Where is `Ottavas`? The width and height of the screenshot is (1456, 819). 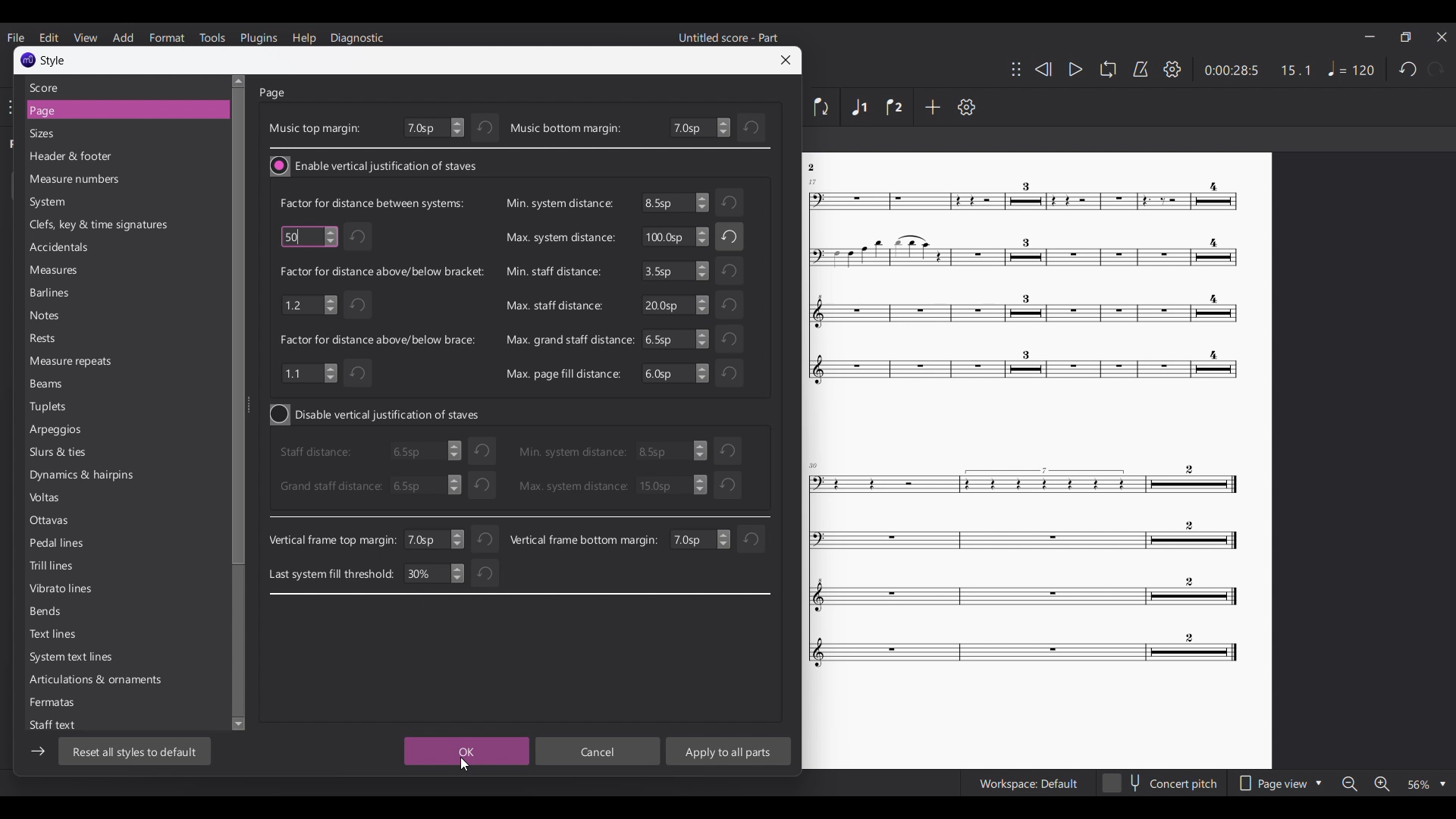 Ottavas is located at coordinates (82, 522).